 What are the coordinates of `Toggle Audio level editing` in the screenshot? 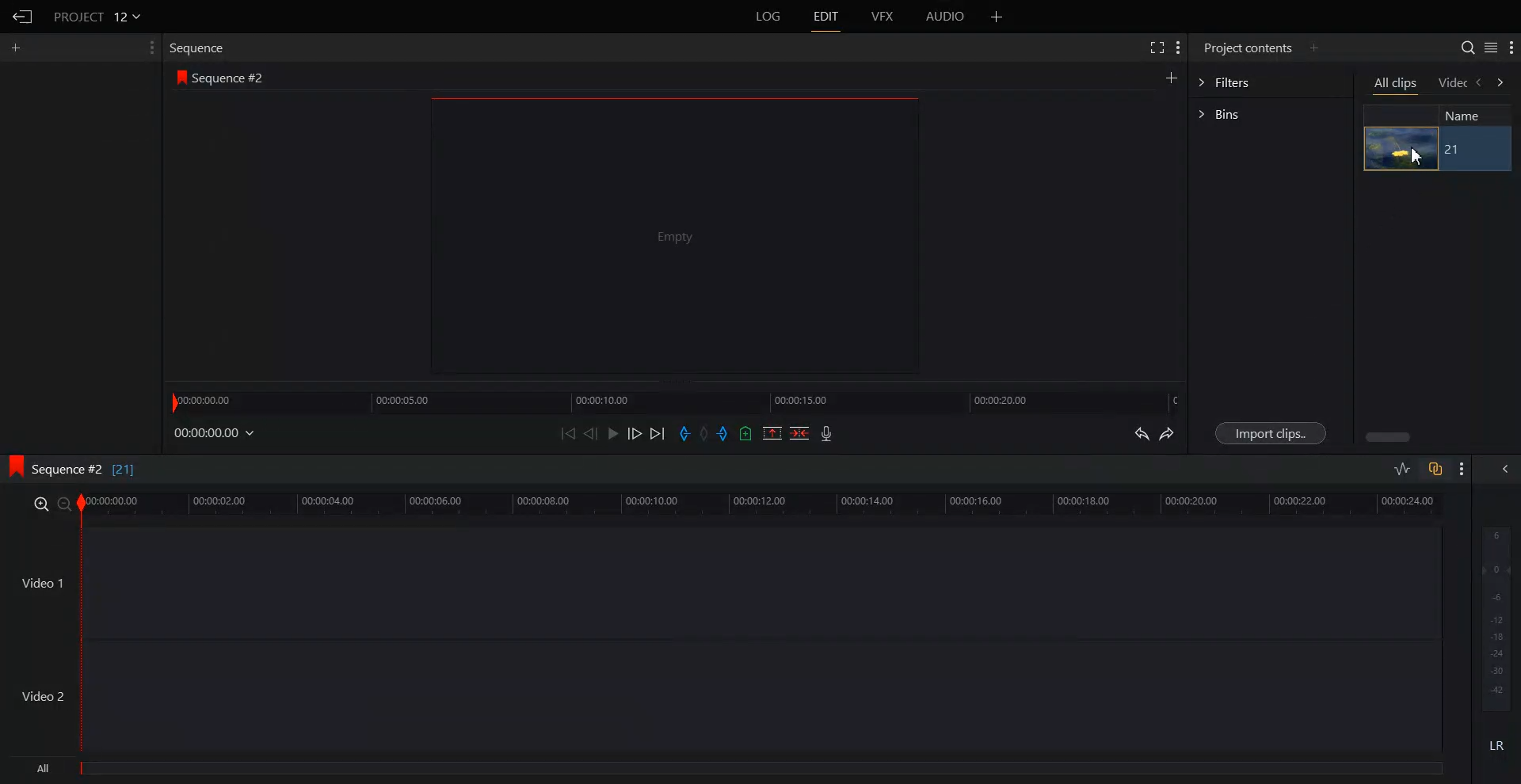 It's located at (1401, 470).